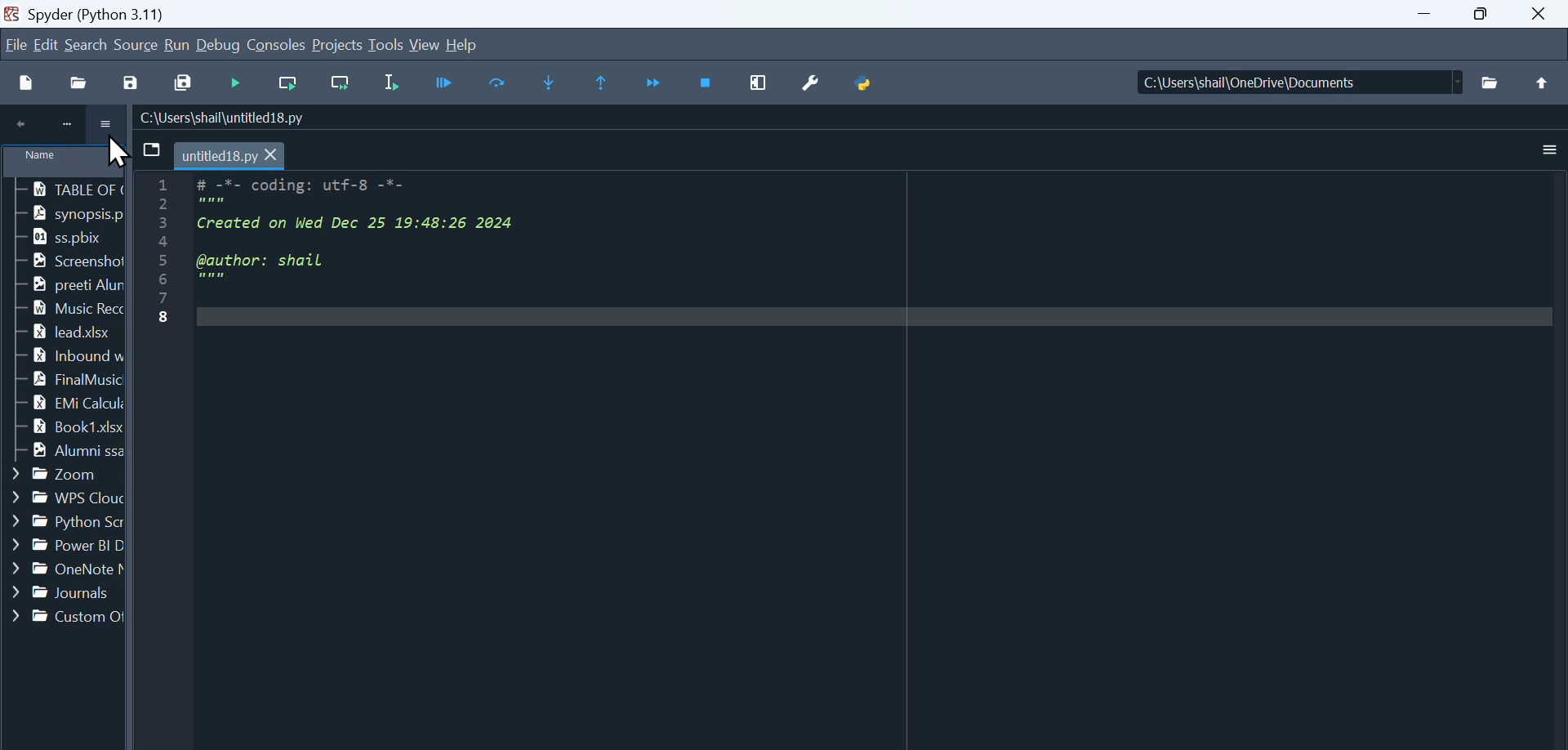 The image size is (1568, 750). What do you see at coordinates (501, 82) in the screenshot?
I see `Run current line` at bounding box center [501, 82].